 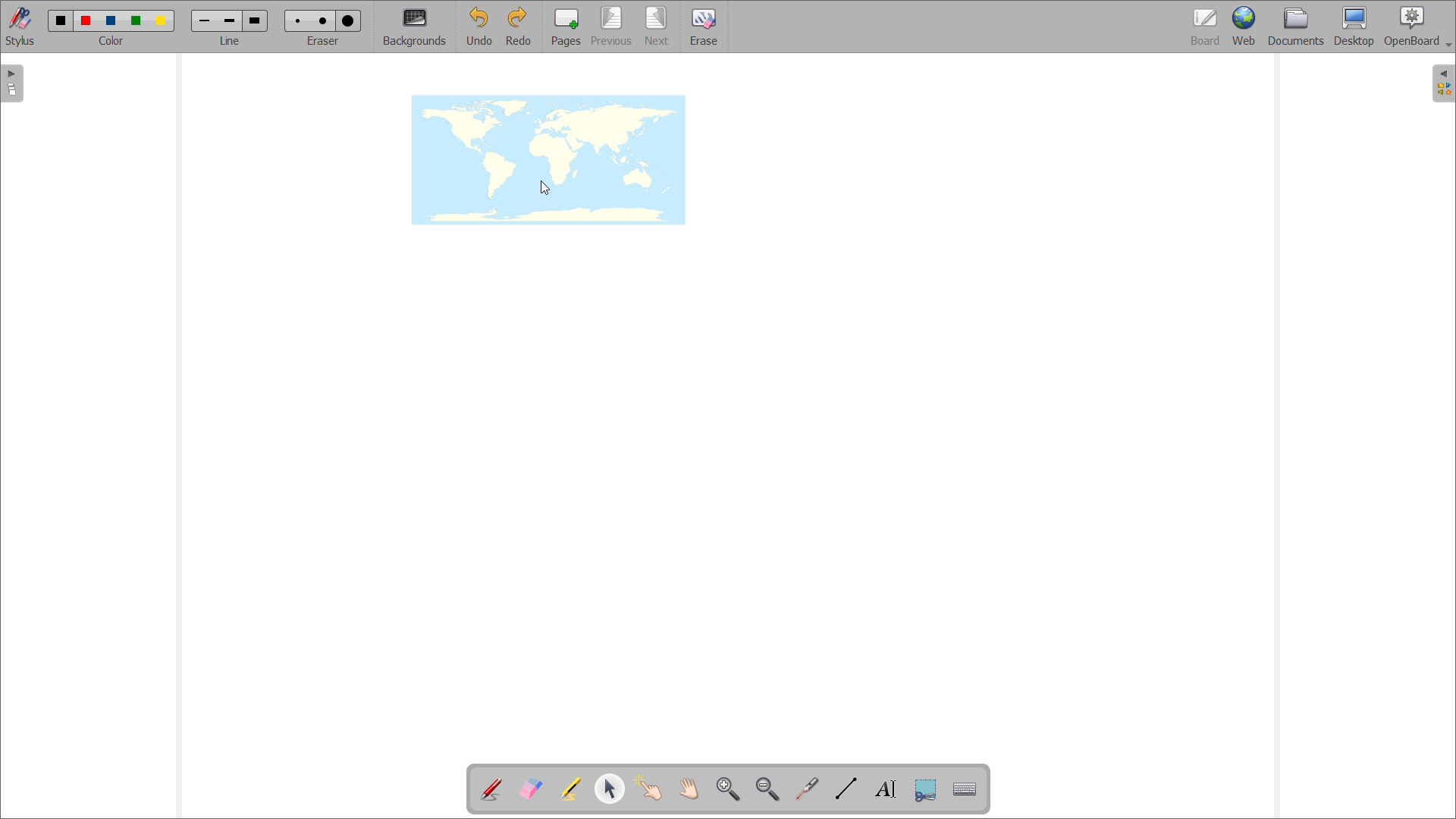 I want to click on desktop, so click(x=1354, y=27).